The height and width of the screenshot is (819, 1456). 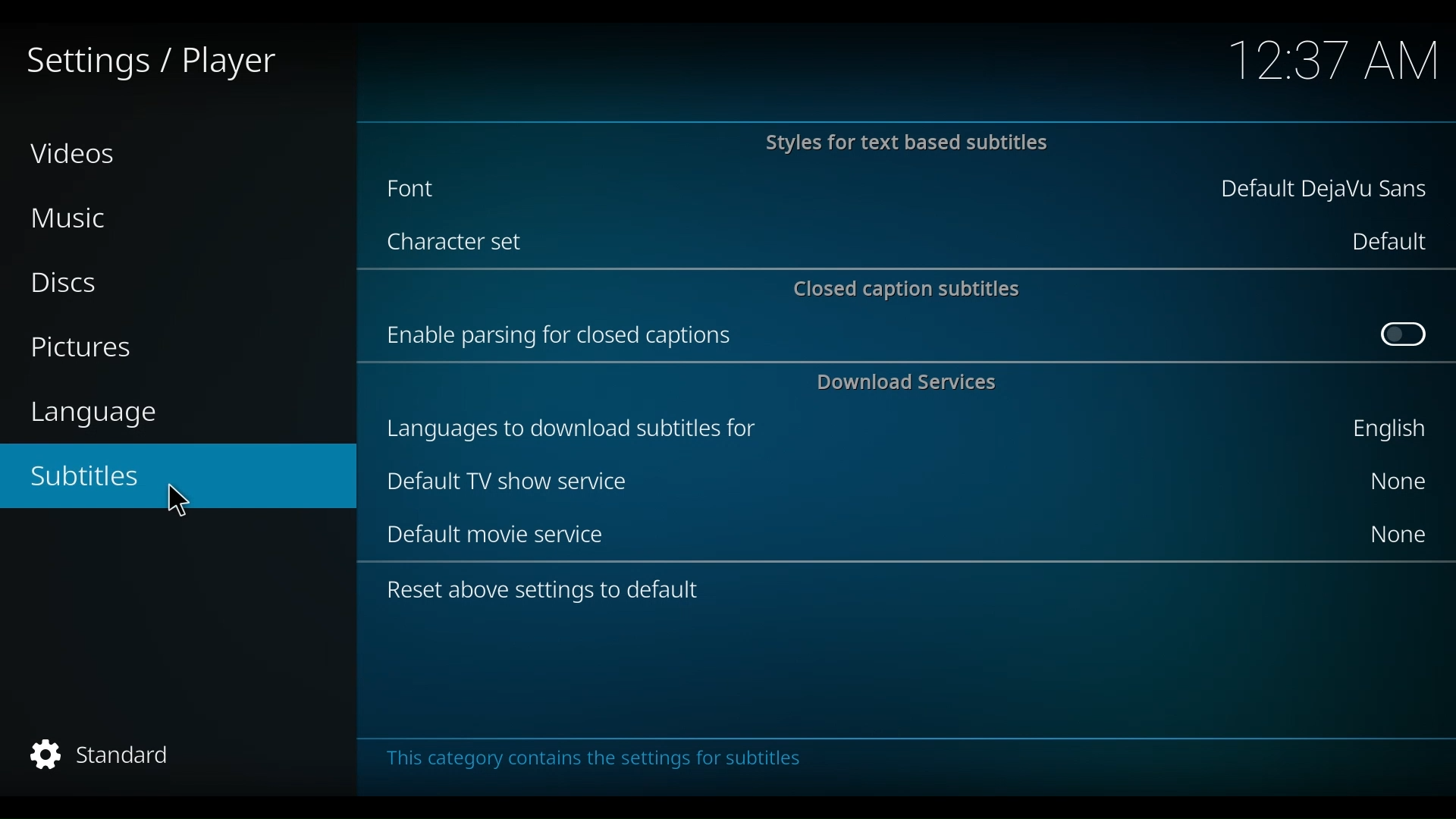 I want to click on Subtitles, so click(x=180, y=477).